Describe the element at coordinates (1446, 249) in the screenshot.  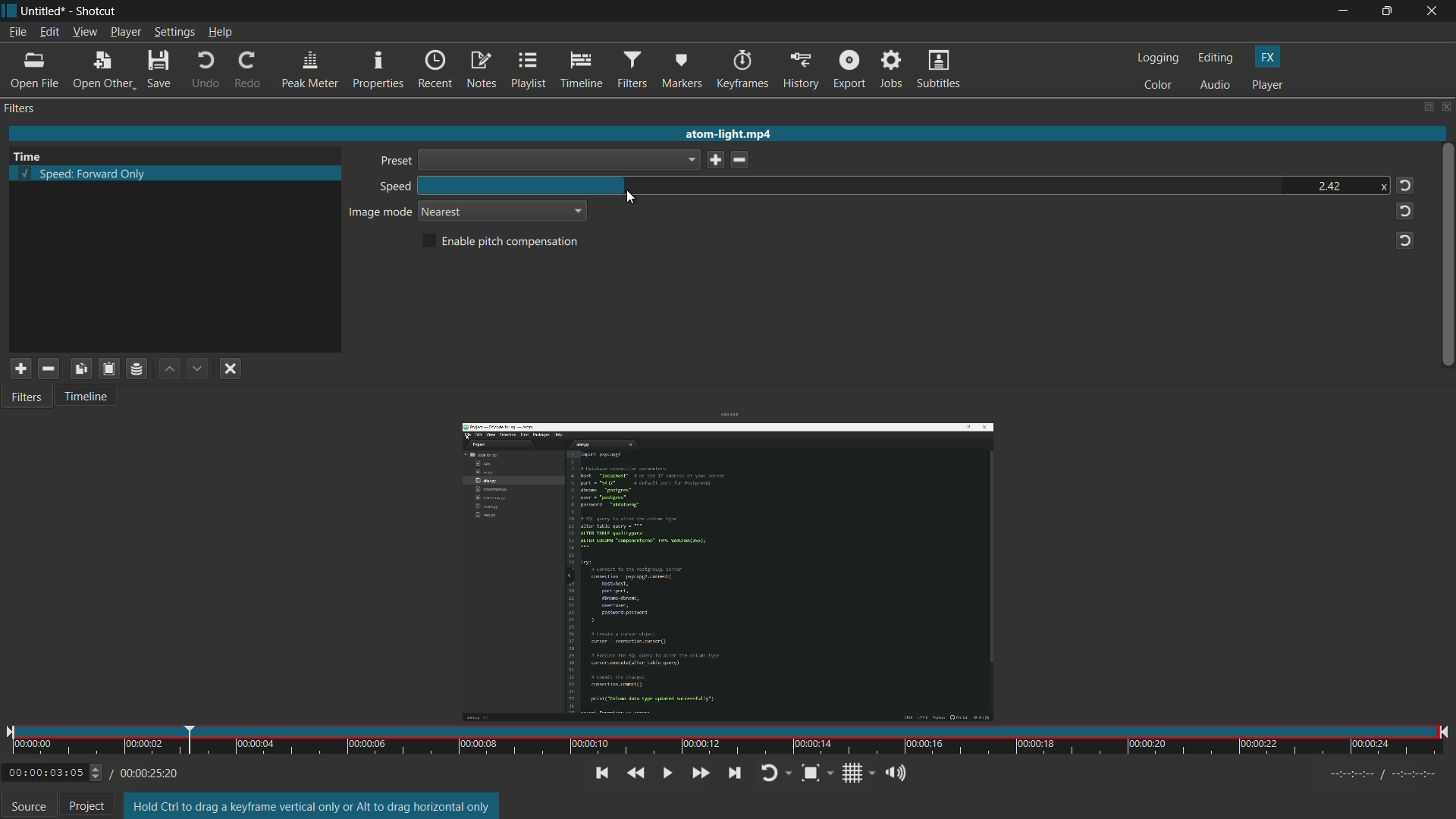
I see `vertical scroll bar` at that location.